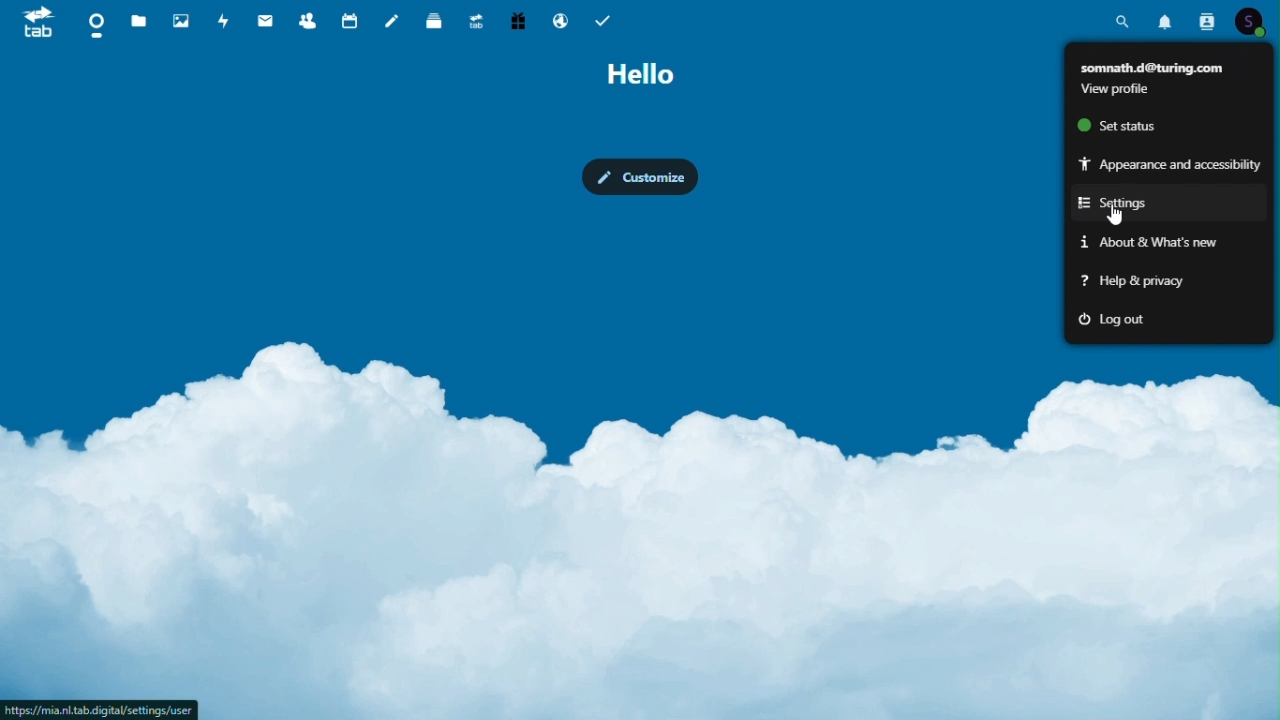  What do you see at coordinates (140, 22) in the screenshot?
I see `Files` at bounding box center [140, 22].